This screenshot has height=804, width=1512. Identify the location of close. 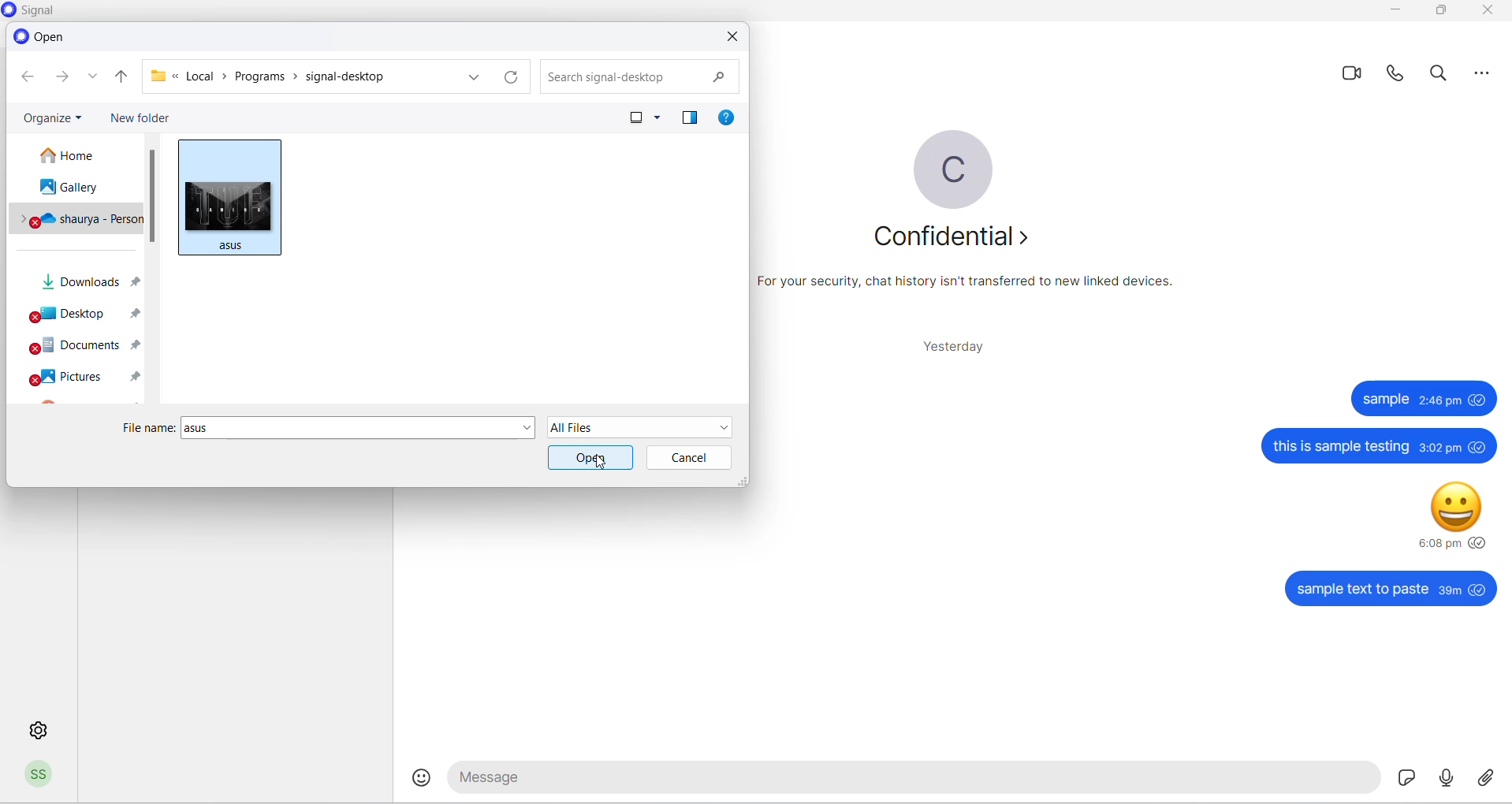
(733, 37).